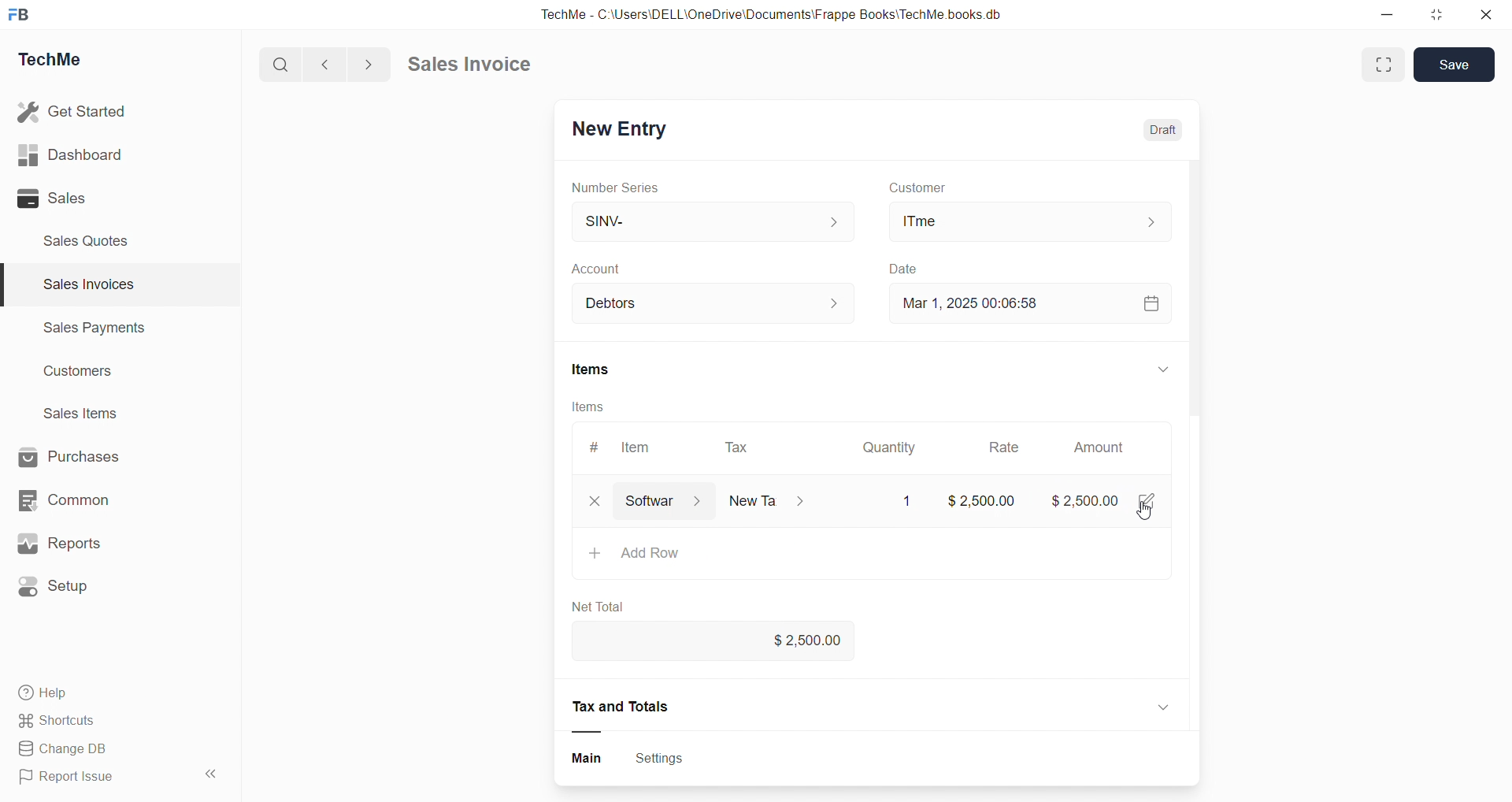 The image size is (1512, 802). What do you see at coordinates (1150, 302) in the screenshot?
I see `Calendar` at bounding box center [1150, 302].